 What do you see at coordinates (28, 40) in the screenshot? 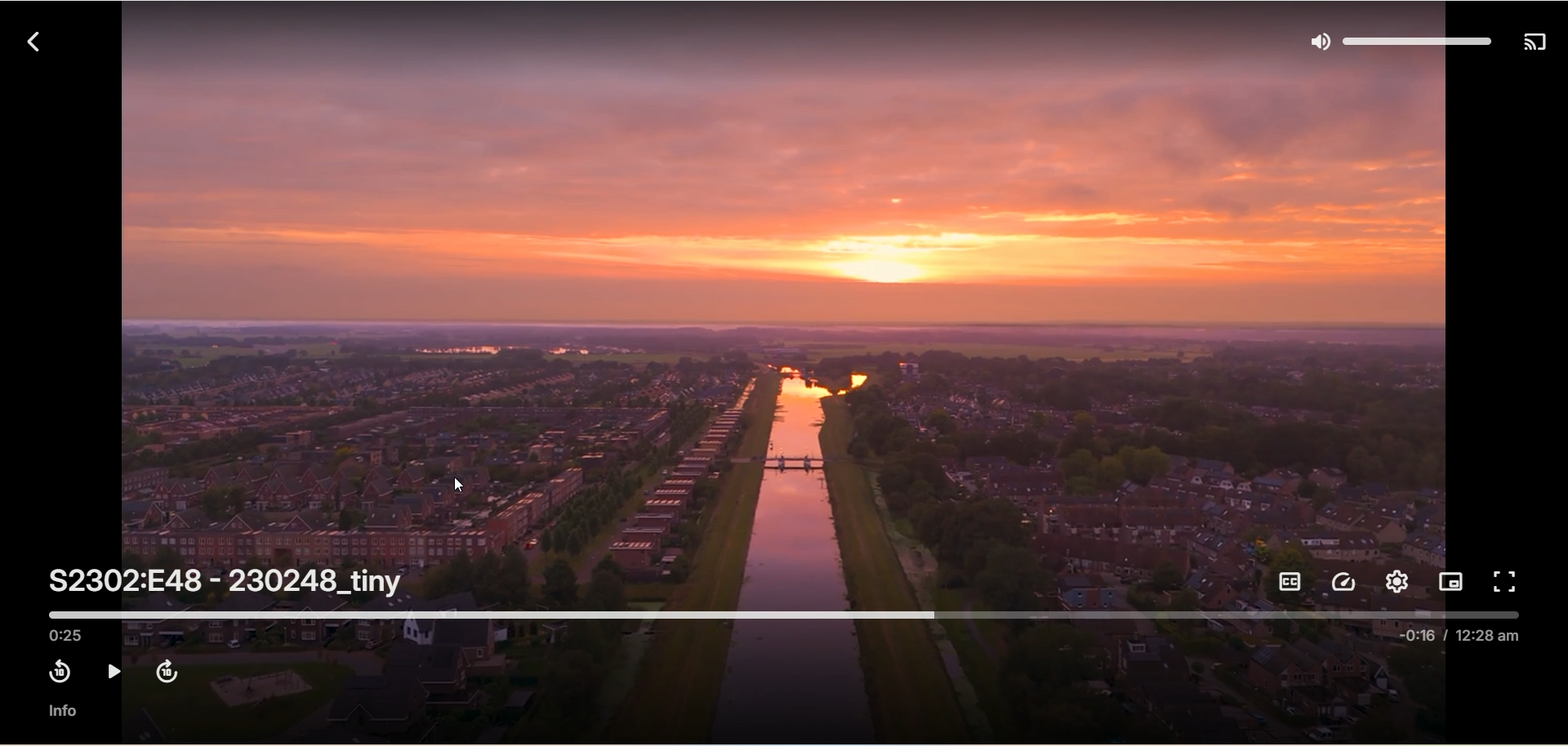
I see `back` at bounding box center [28, 40].